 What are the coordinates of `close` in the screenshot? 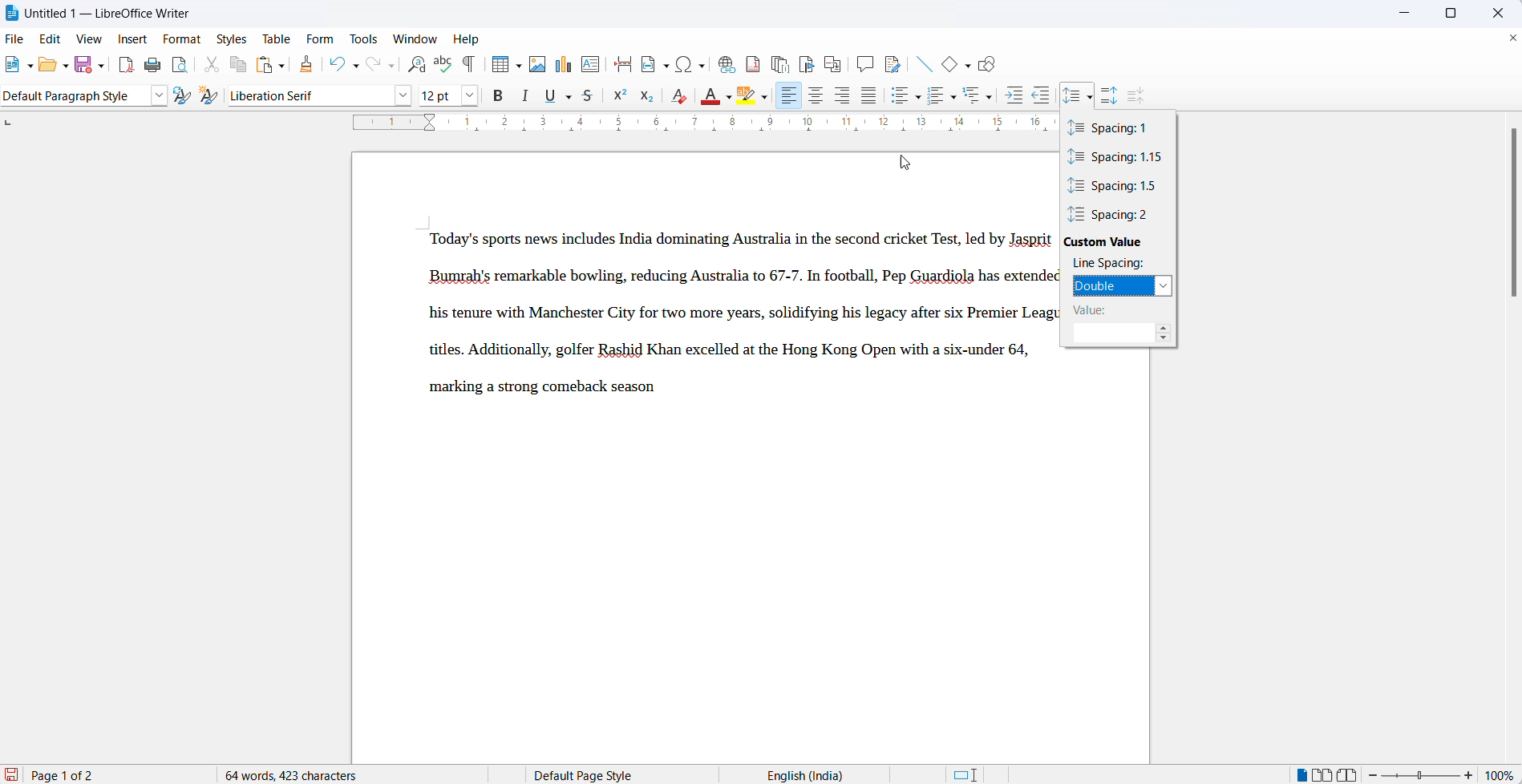 It's located at (1494, 12).